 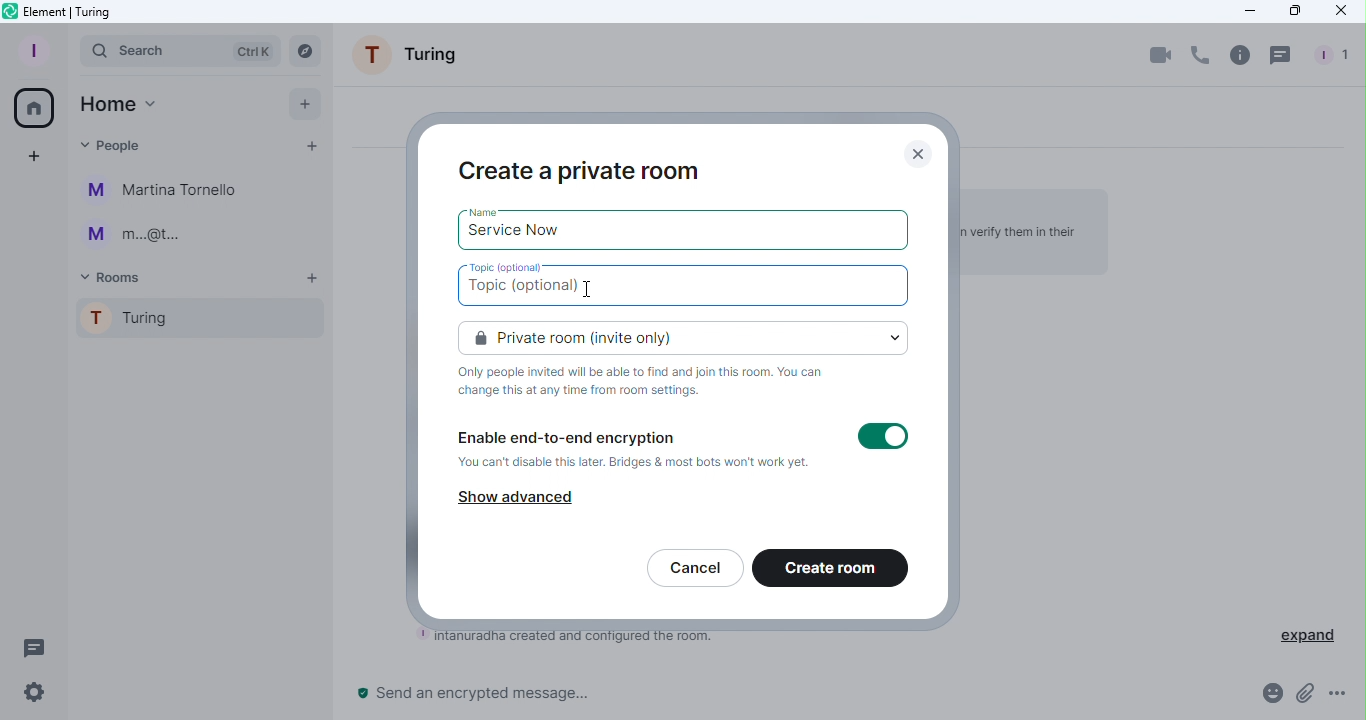 I want to click on Room name, so click(x=413, y=59).